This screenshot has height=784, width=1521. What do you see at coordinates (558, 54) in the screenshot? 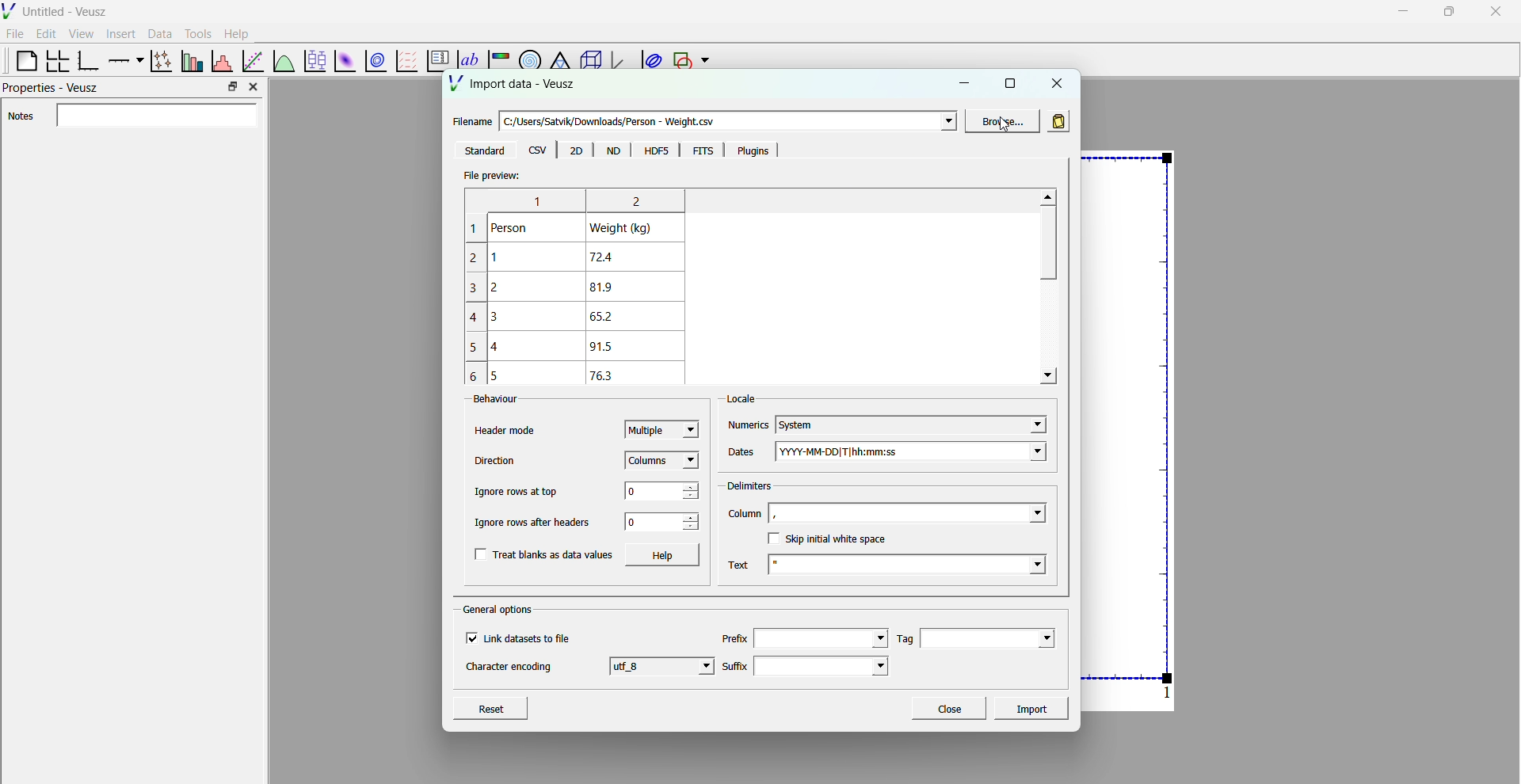
I see `ternary graph` at bounding box center [558, 54].